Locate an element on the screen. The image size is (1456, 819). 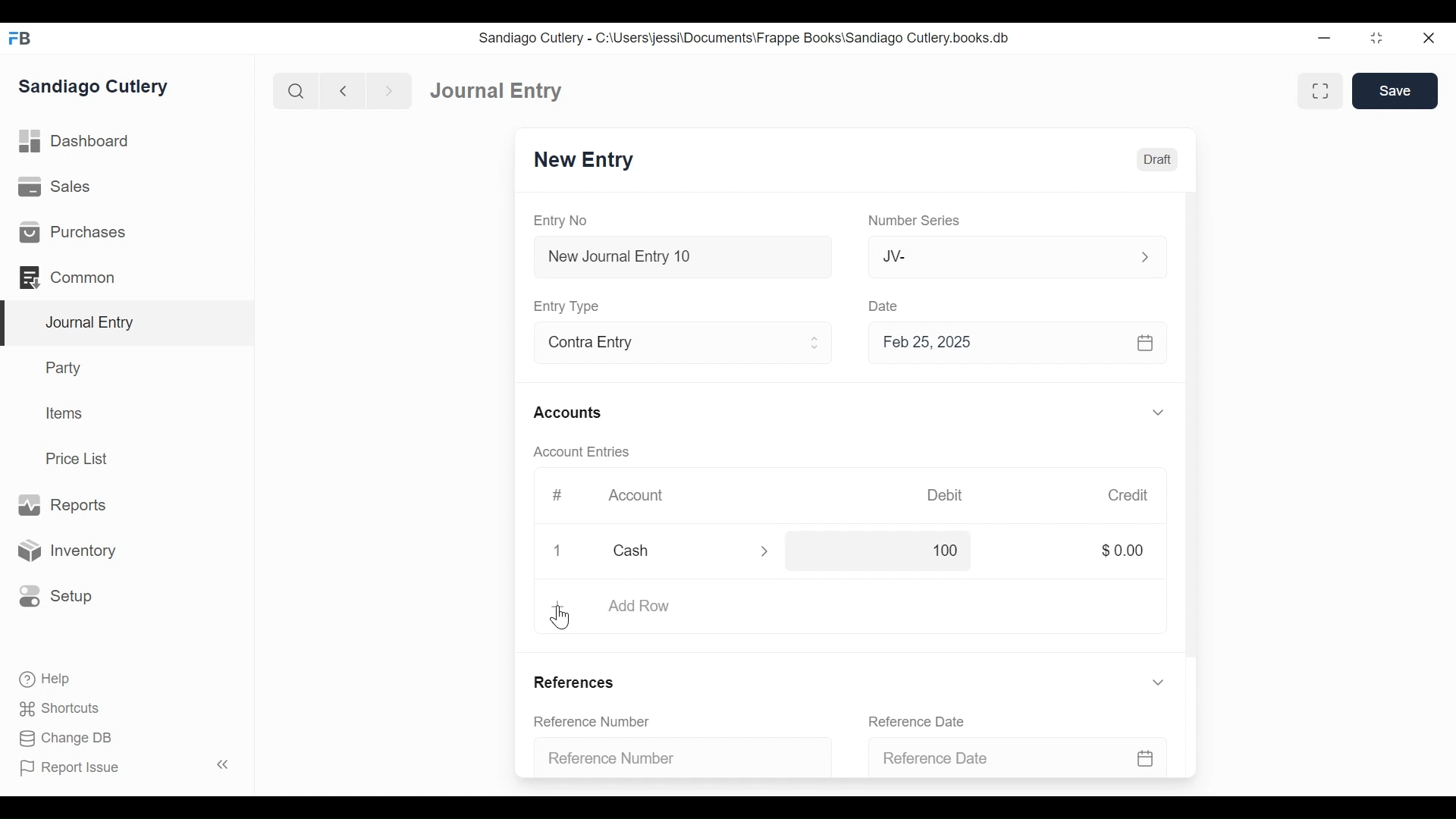
Account is located at coordinates (638, 497).